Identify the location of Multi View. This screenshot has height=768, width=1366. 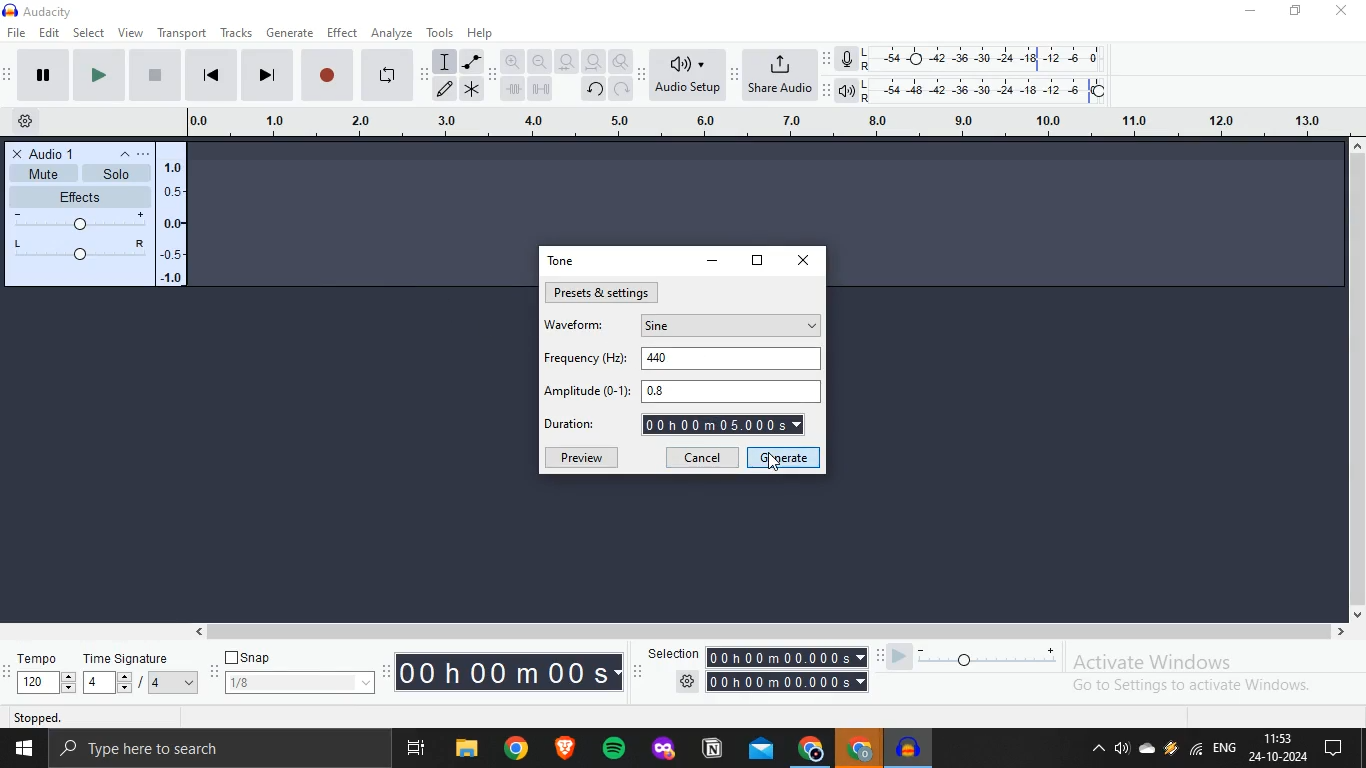
(417, 749).